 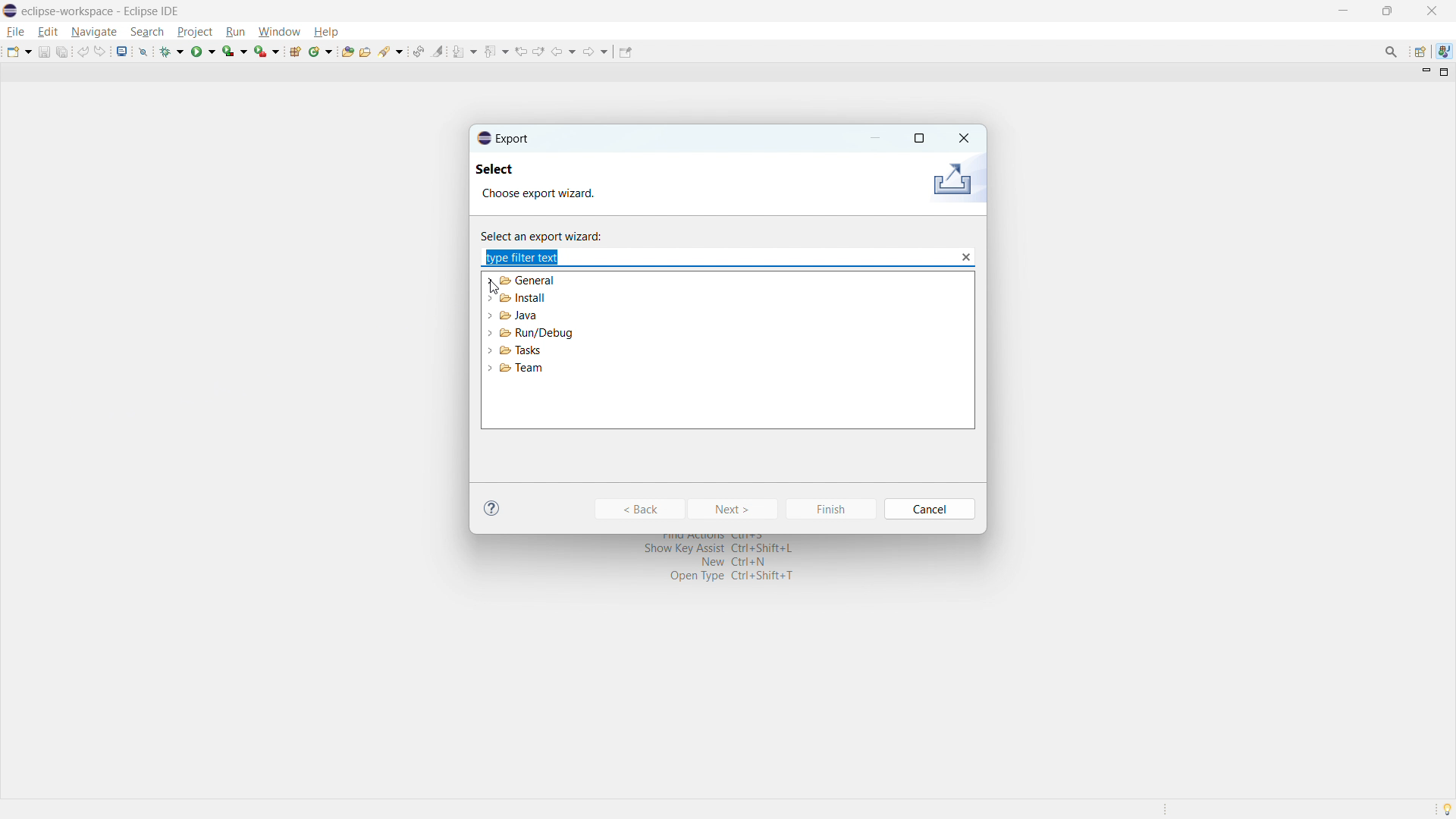 I want to click on expand tasks, so click(x=490, y=350).